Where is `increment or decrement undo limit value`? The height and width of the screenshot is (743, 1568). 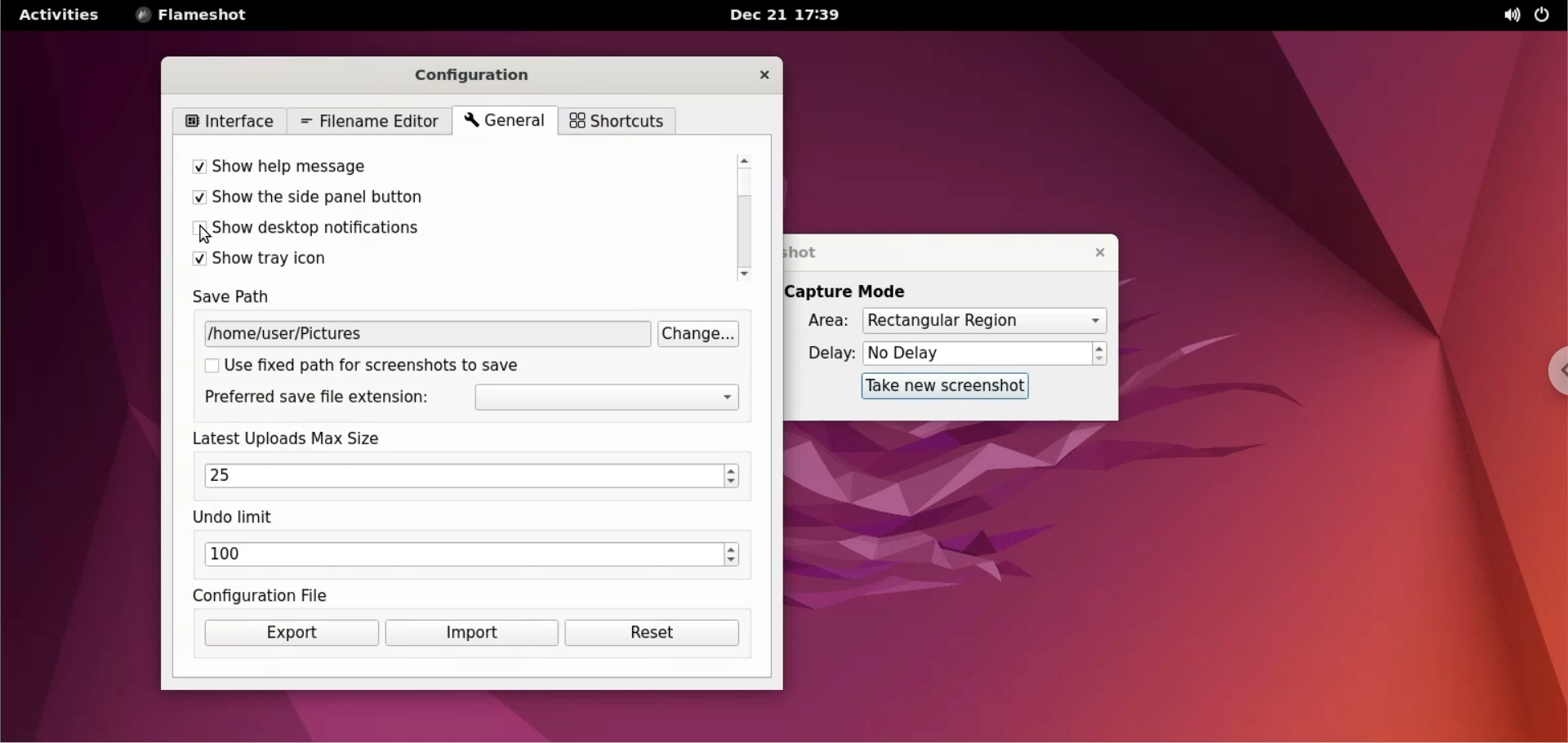 increment or decrement undo limit value is located at coordinates (732, 556).